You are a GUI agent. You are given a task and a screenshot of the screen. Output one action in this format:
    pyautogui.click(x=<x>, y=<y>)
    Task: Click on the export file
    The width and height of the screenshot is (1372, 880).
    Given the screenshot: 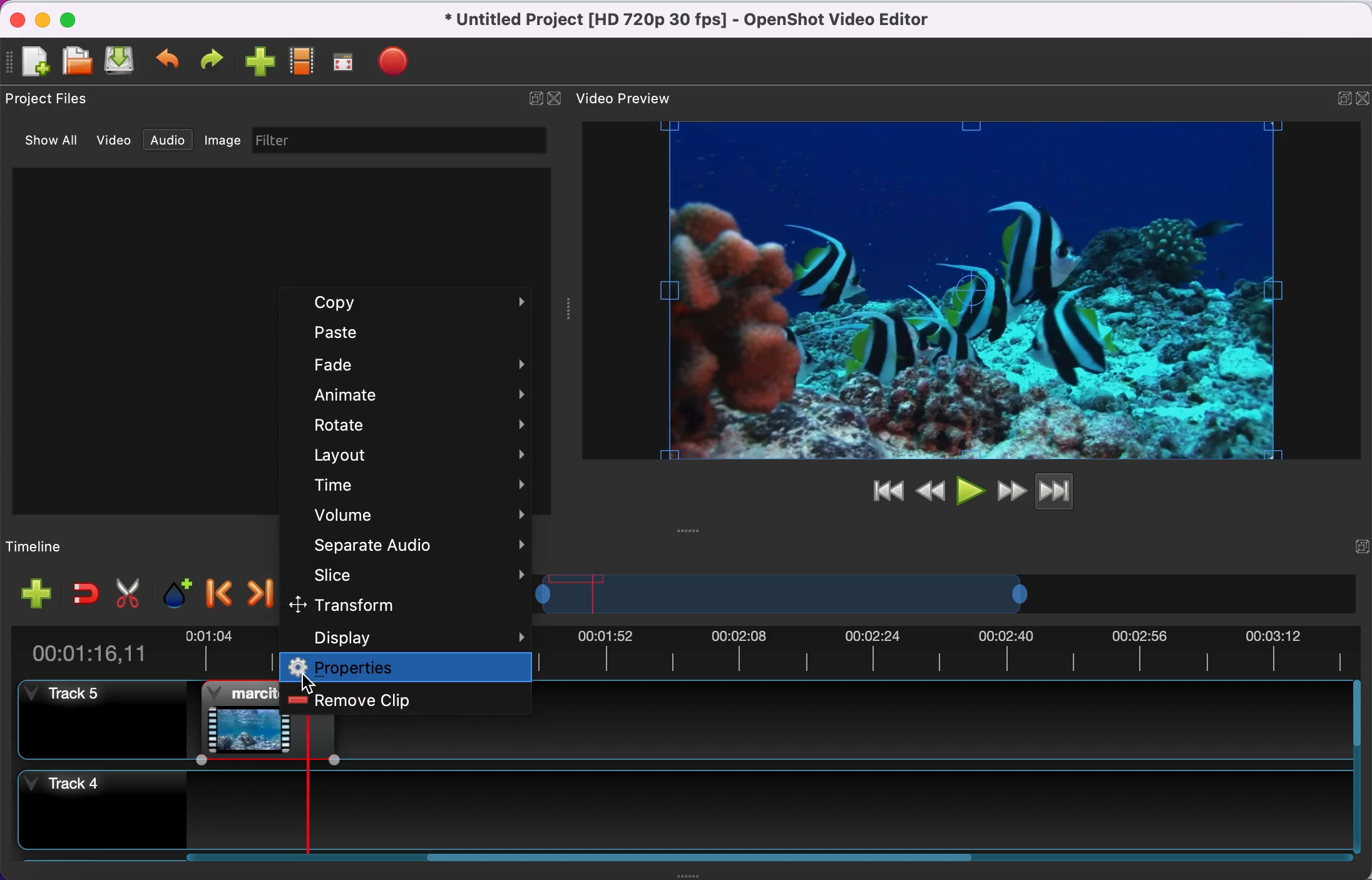 What is the action you would take?
    pyautogui.click(x=397, y=58)
    